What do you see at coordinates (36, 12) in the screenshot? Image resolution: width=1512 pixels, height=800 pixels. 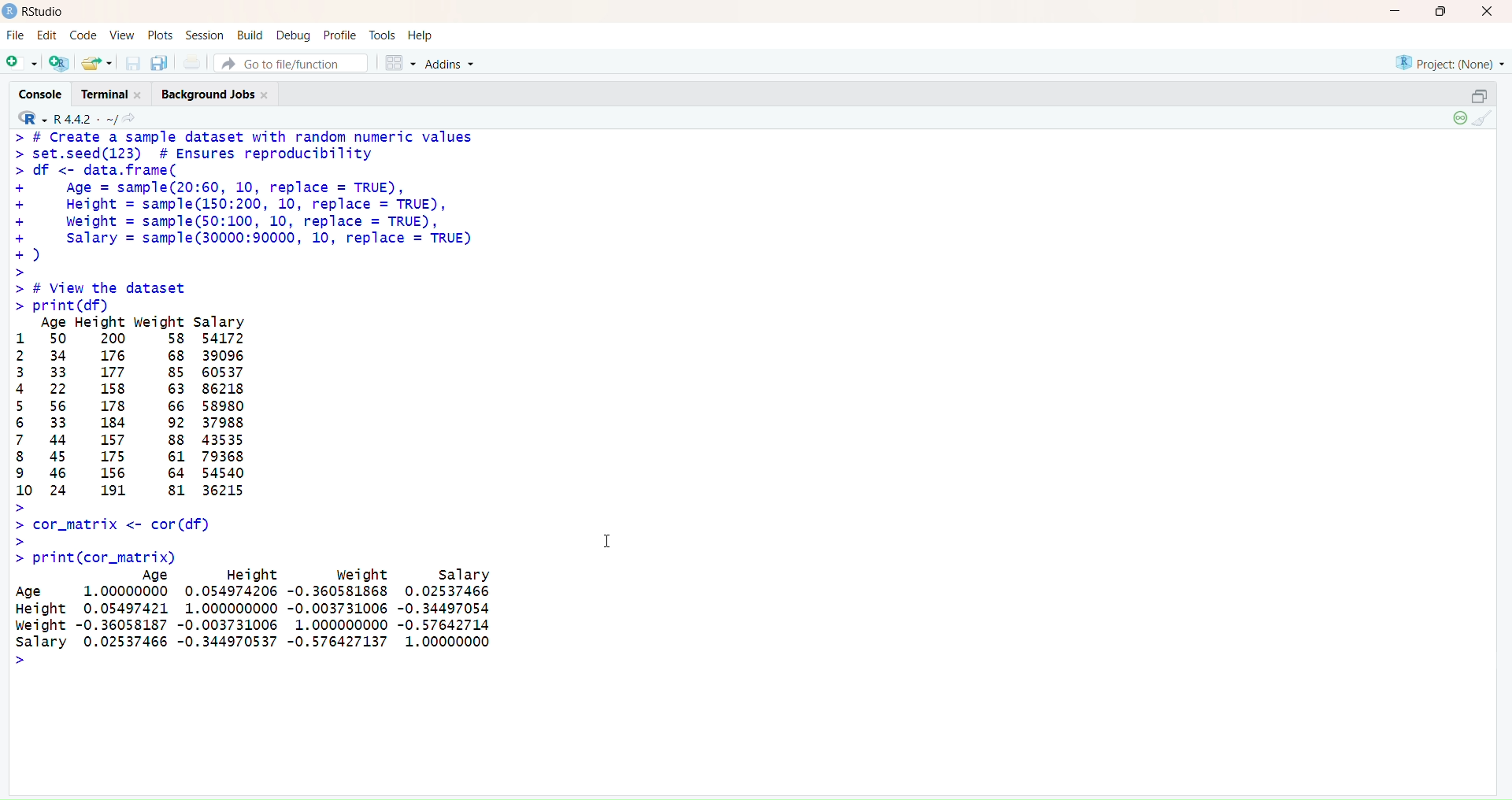 I see `RStudio` at bounding box center [36, 12].